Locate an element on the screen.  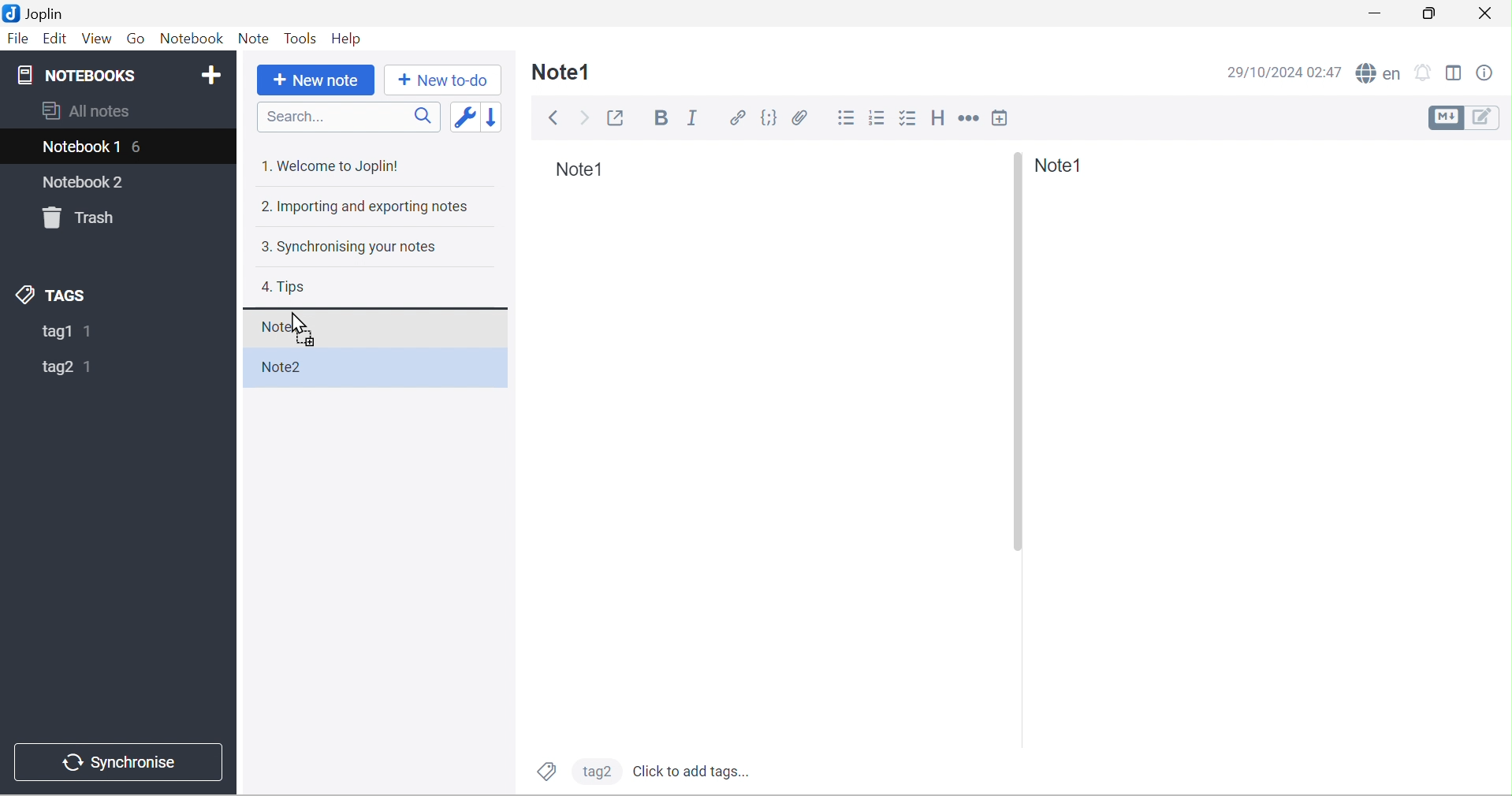
6 is located at coordinates (141, 147).